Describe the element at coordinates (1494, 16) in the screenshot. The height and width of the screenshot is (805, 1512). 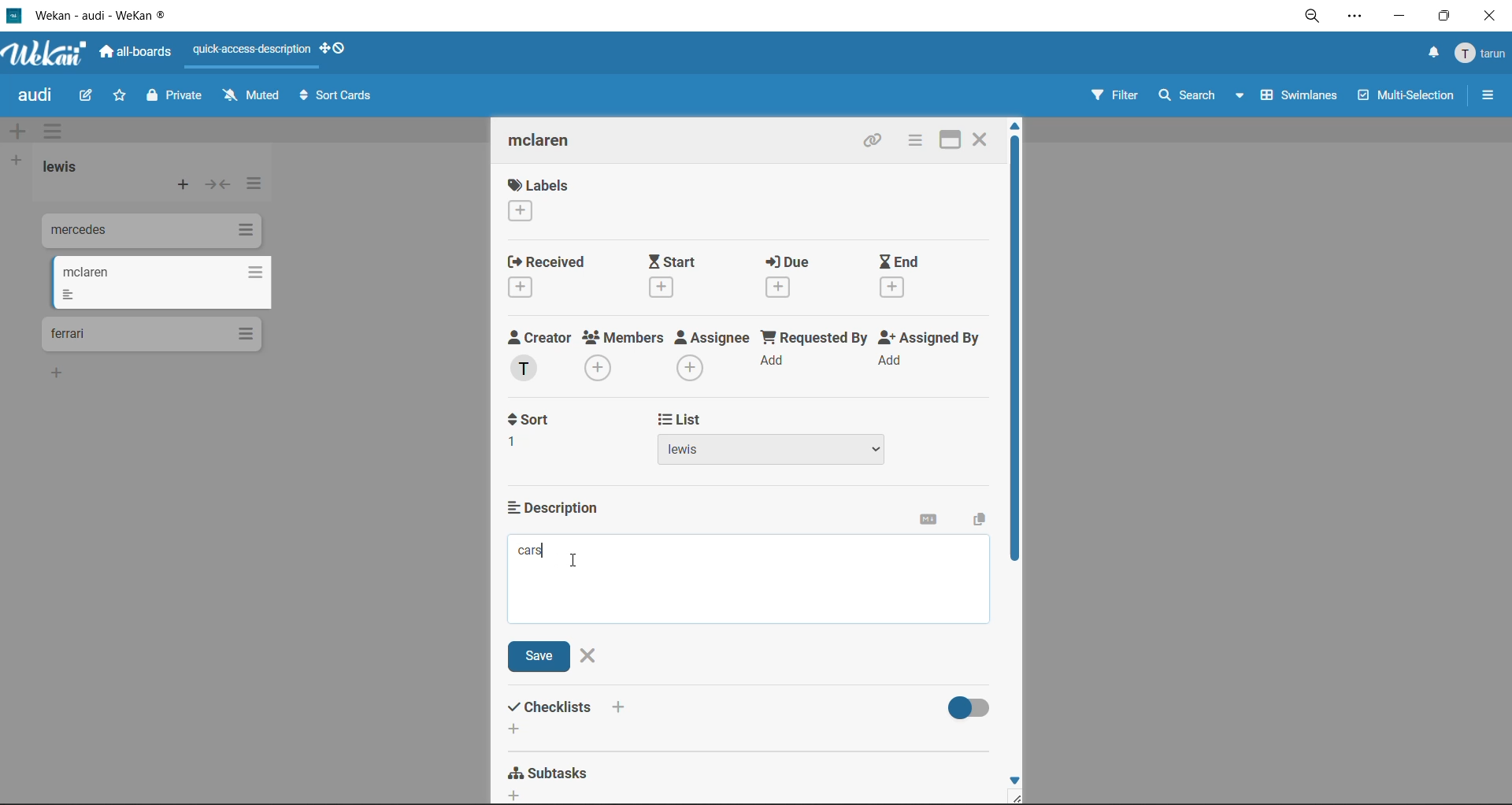
I see `close` at that location.